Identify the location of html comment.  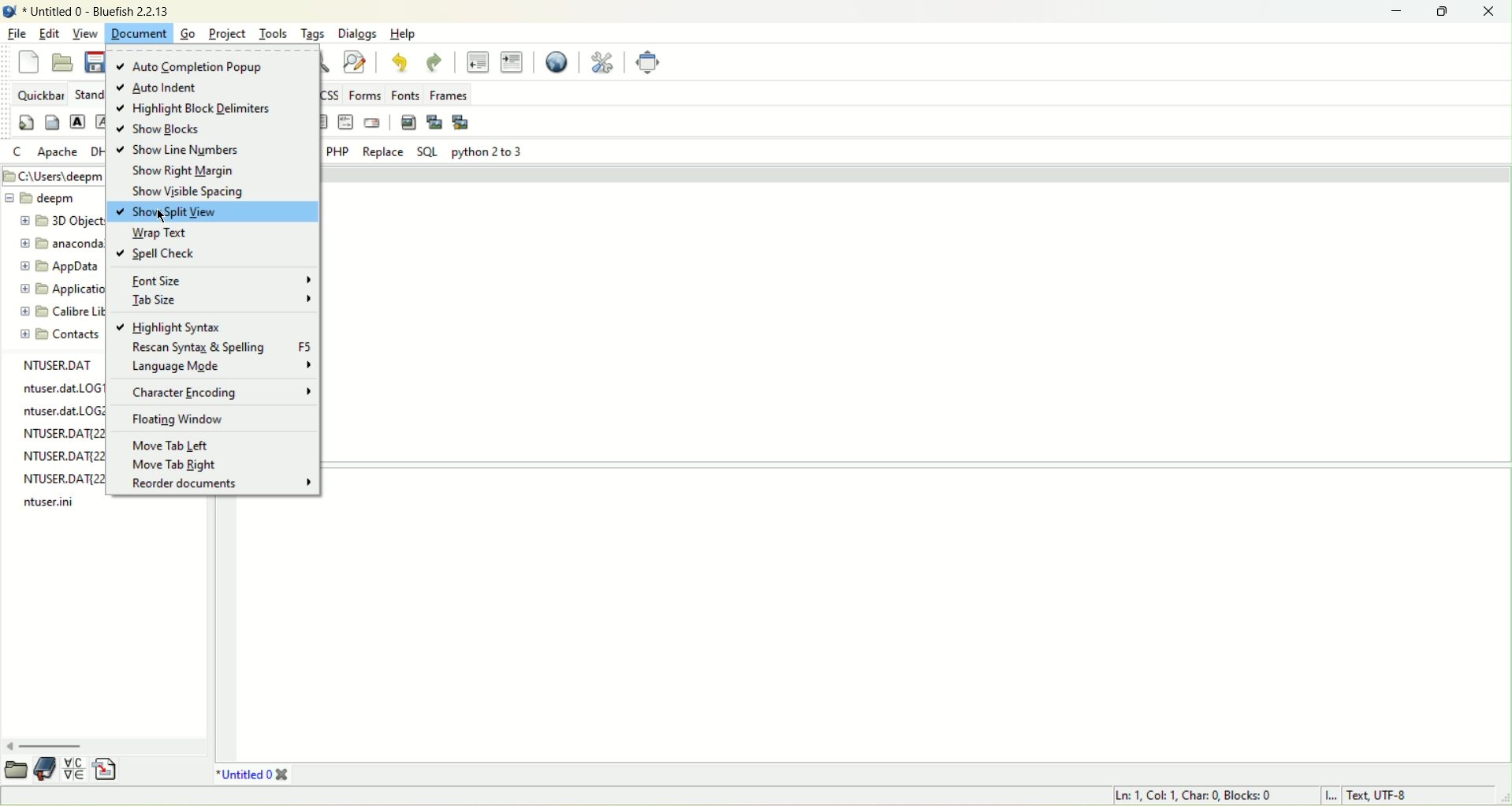
(346, 122).